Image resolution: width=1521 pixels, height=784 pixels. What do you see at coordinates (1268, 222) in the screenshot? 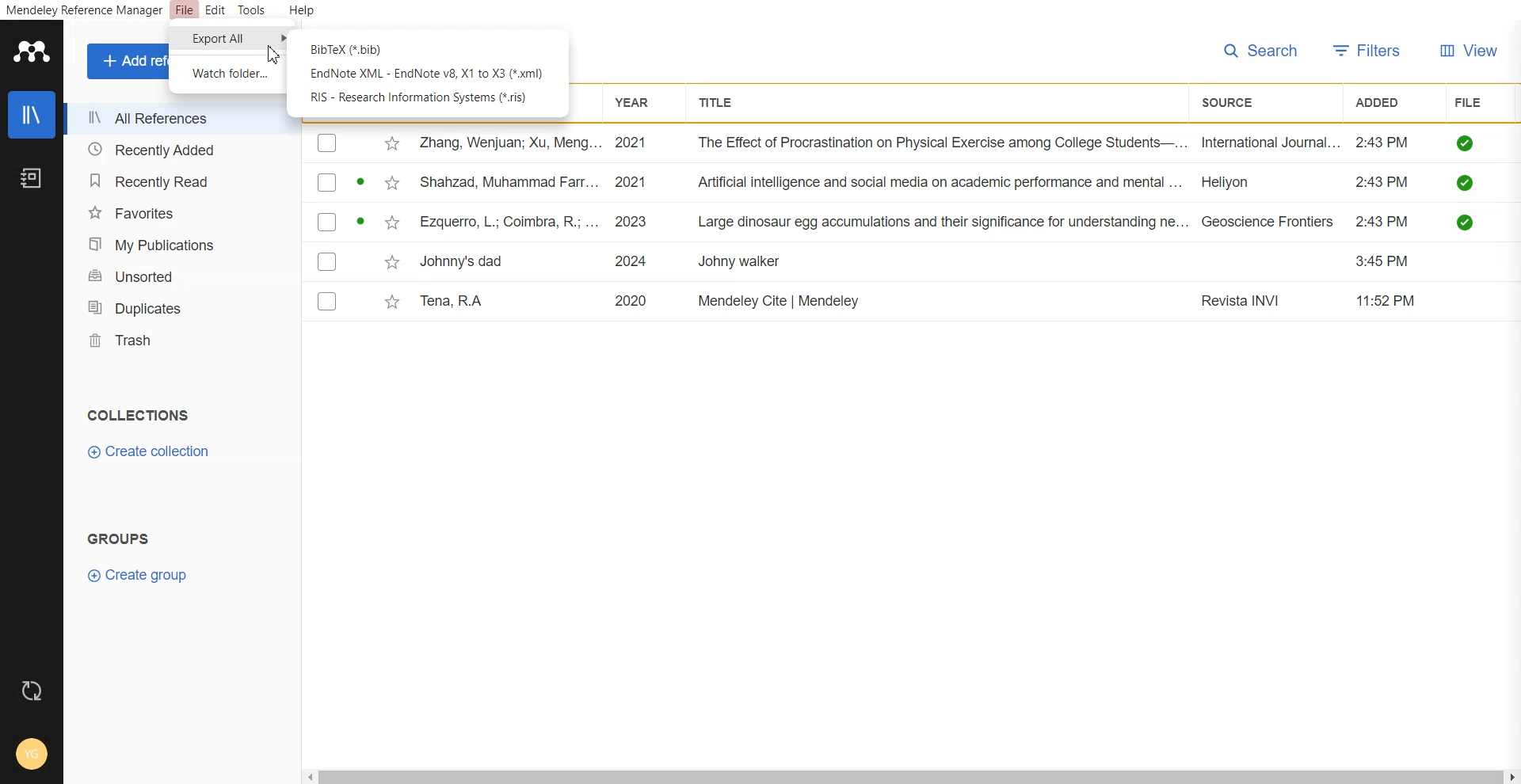
I see `Geoscience Frontiers` at bounding box center [1268, 222].